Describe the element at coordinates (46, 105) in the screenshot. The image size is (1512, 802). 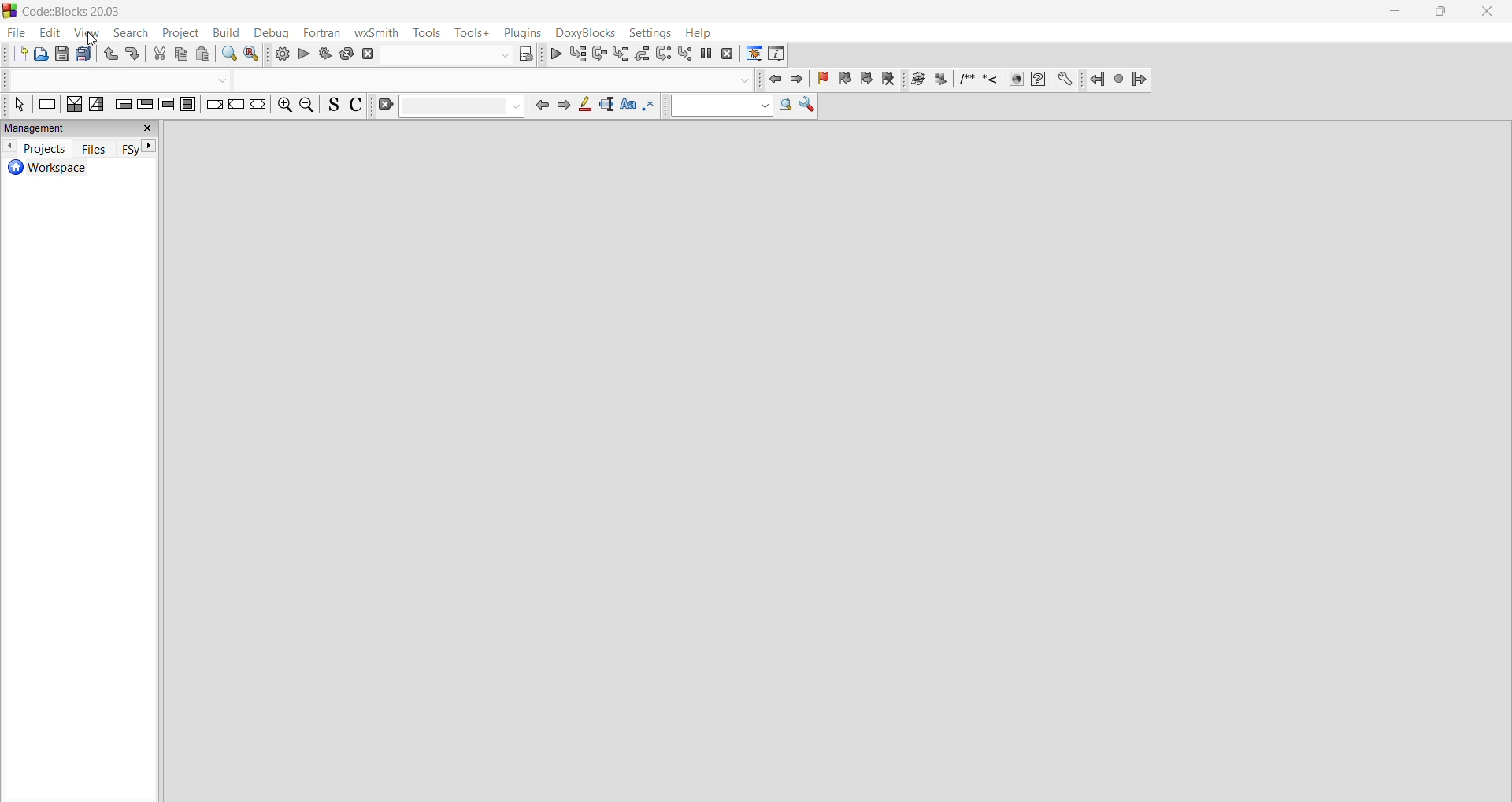
I see `instruction` at that location.